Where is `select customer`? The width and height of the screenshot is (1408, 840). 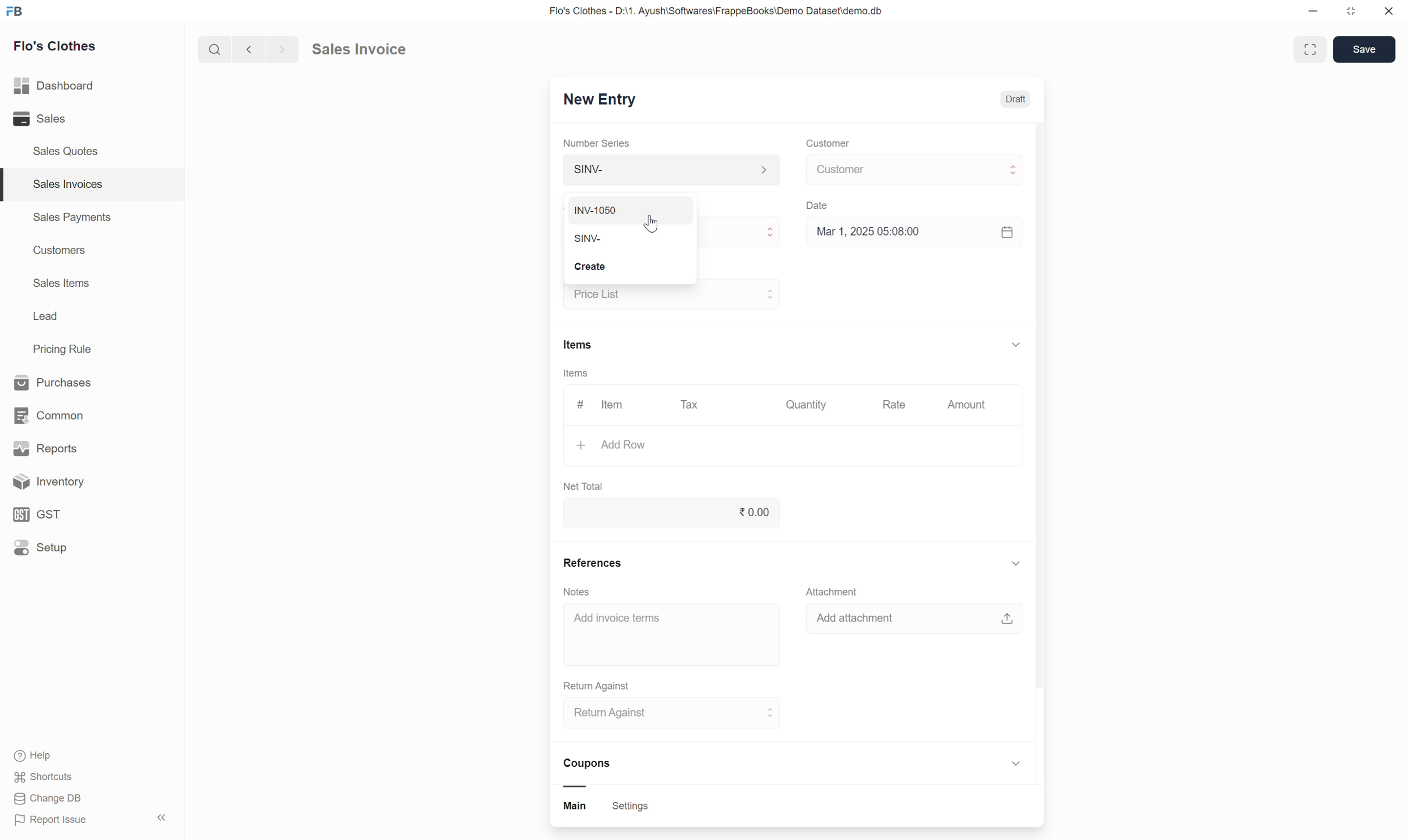
select customer is located at coordinates (911, 172).